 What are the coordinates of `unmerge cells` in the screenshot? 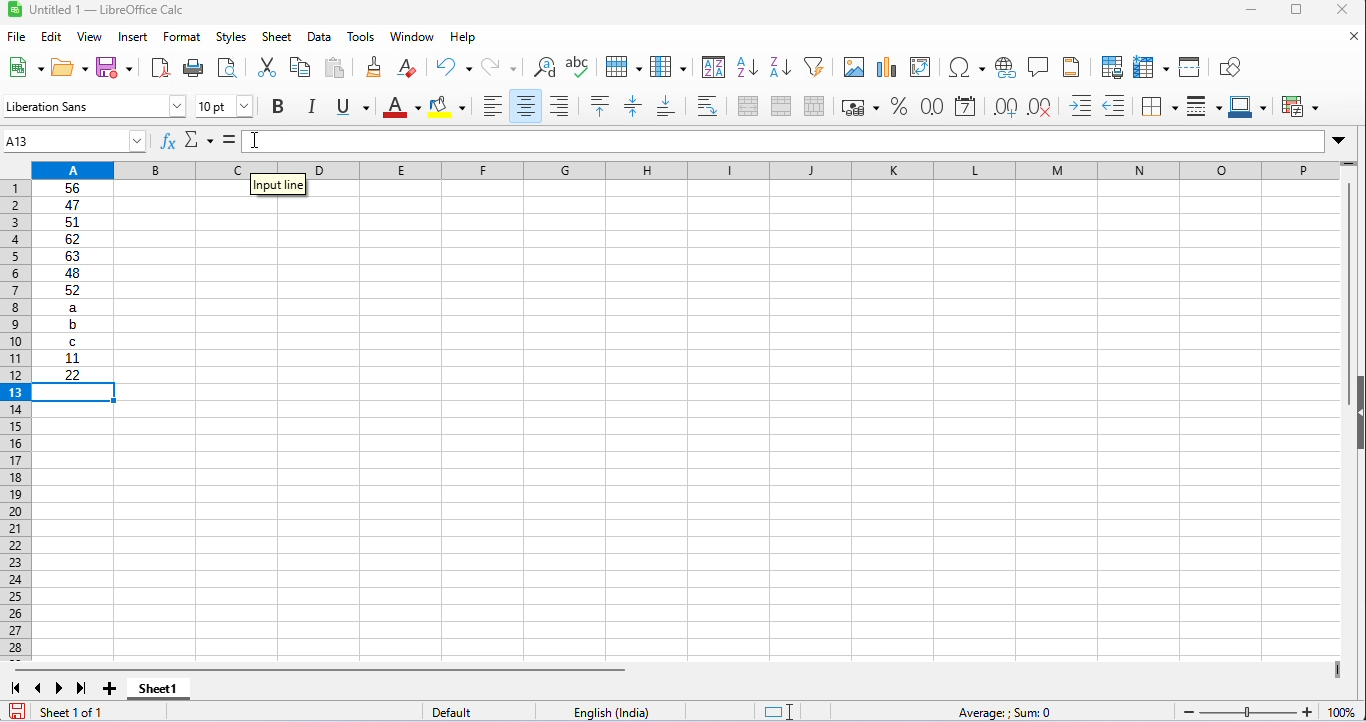 It's located at (815, 106).